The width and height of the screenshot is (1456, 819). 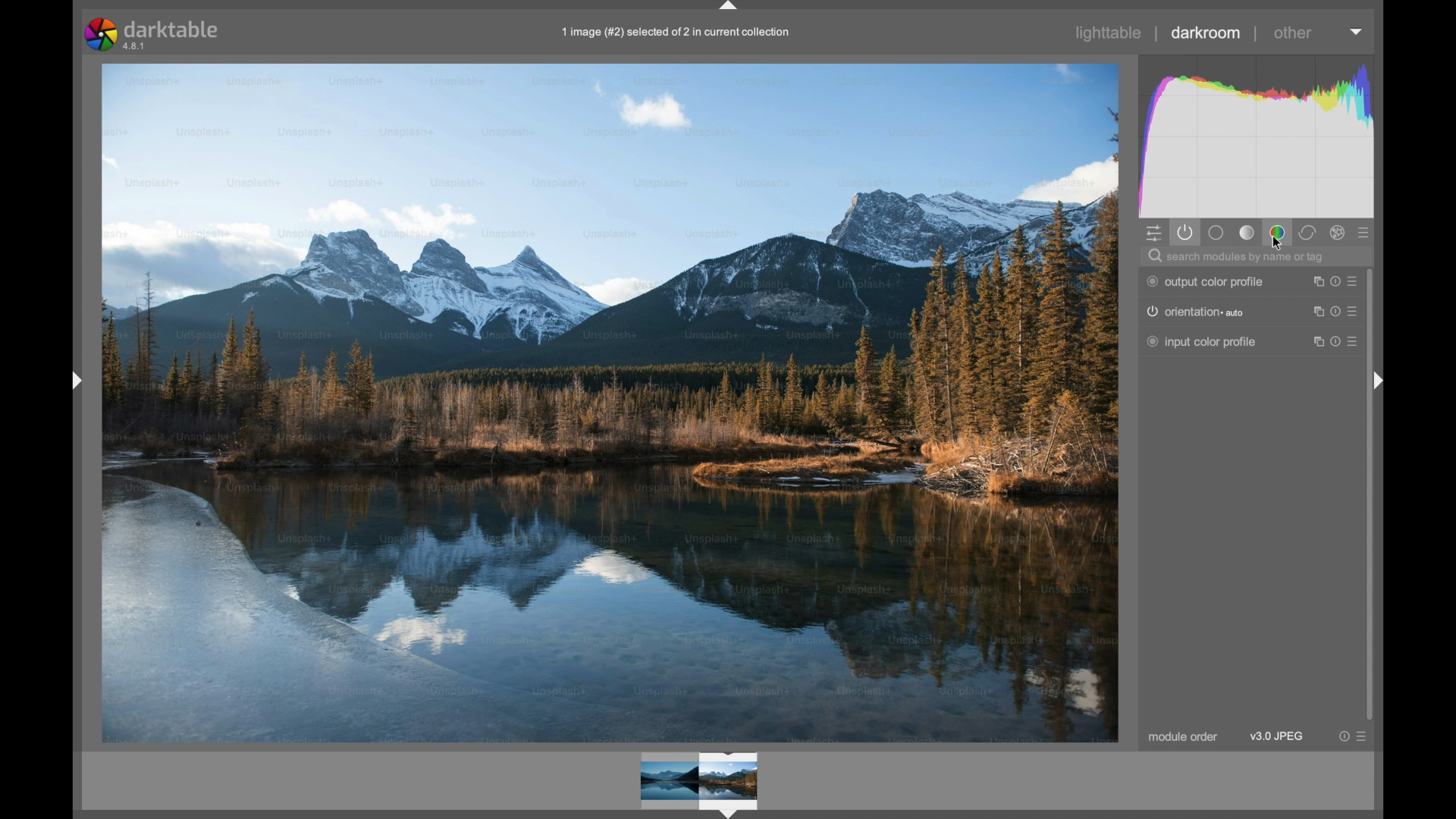 I want to click on darktable 4.8.1, so click(x=155, y=35).